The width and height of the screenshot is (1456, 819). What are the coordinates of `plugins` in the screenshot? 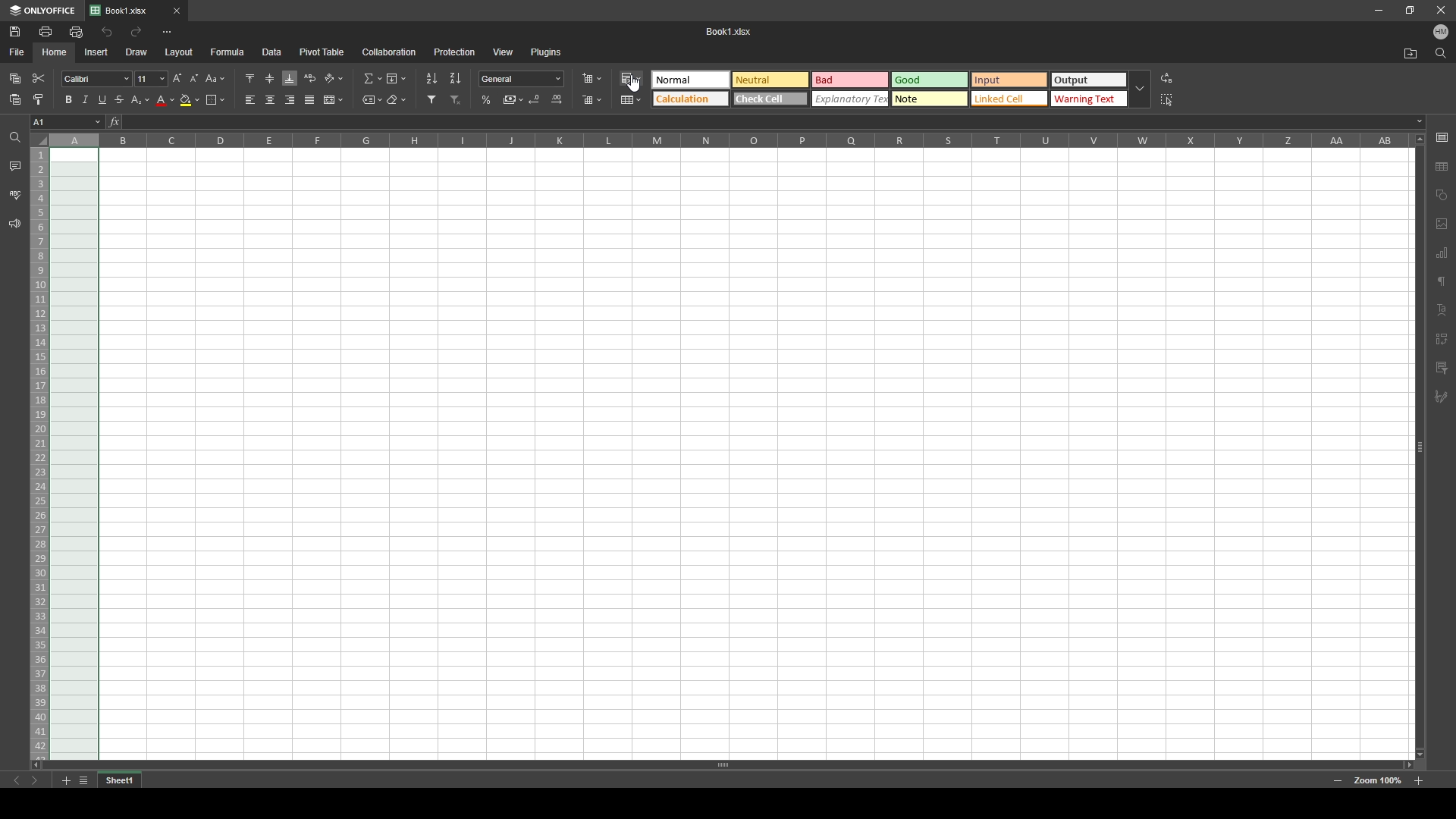 It's located at (548, 51).